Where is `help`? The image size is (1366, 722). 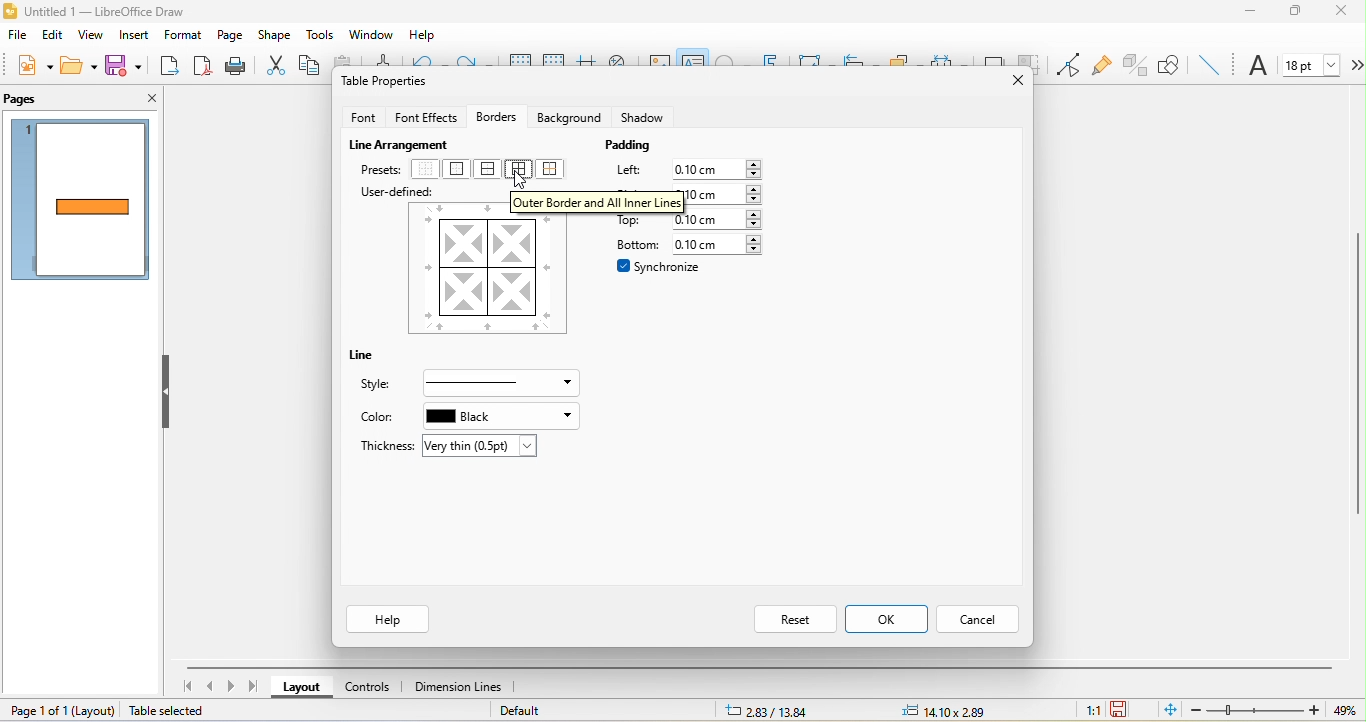
help is located at coordinates (387, 619).